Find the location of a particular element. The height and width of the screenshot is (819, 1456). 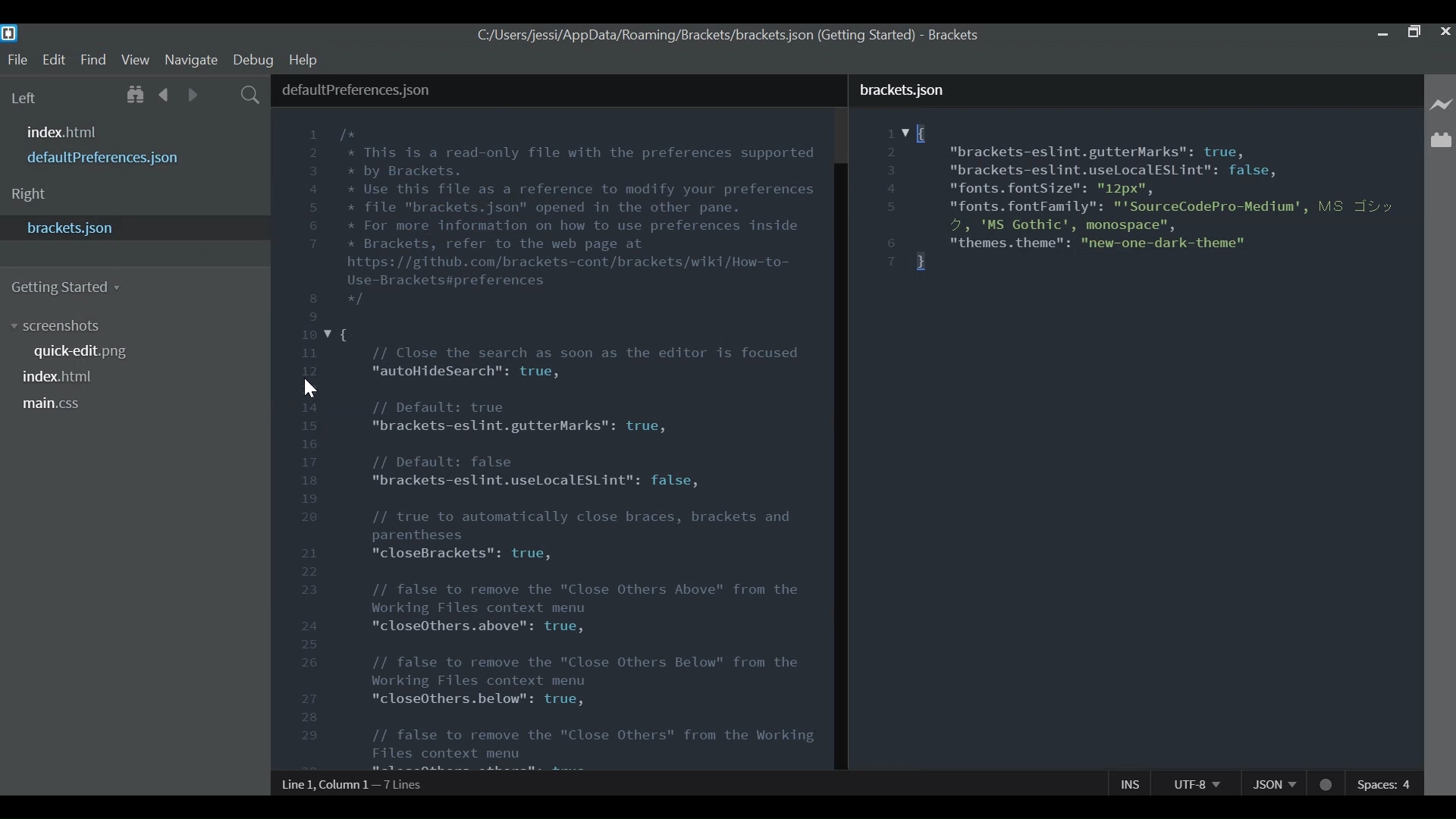

1234567 is located at coordinates (893, 199).